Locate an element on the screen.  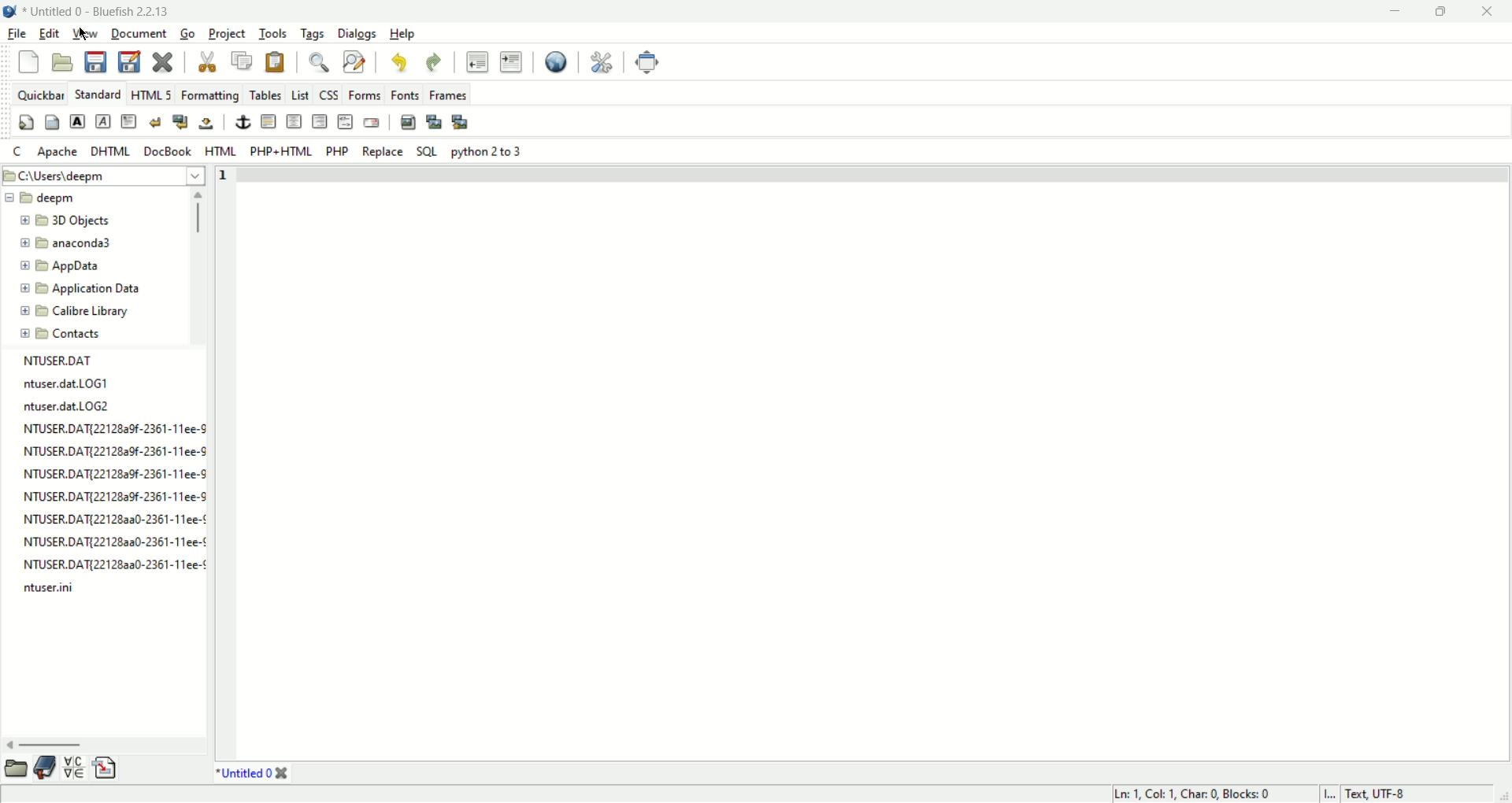
browse file is located at coordinates (20, 768).